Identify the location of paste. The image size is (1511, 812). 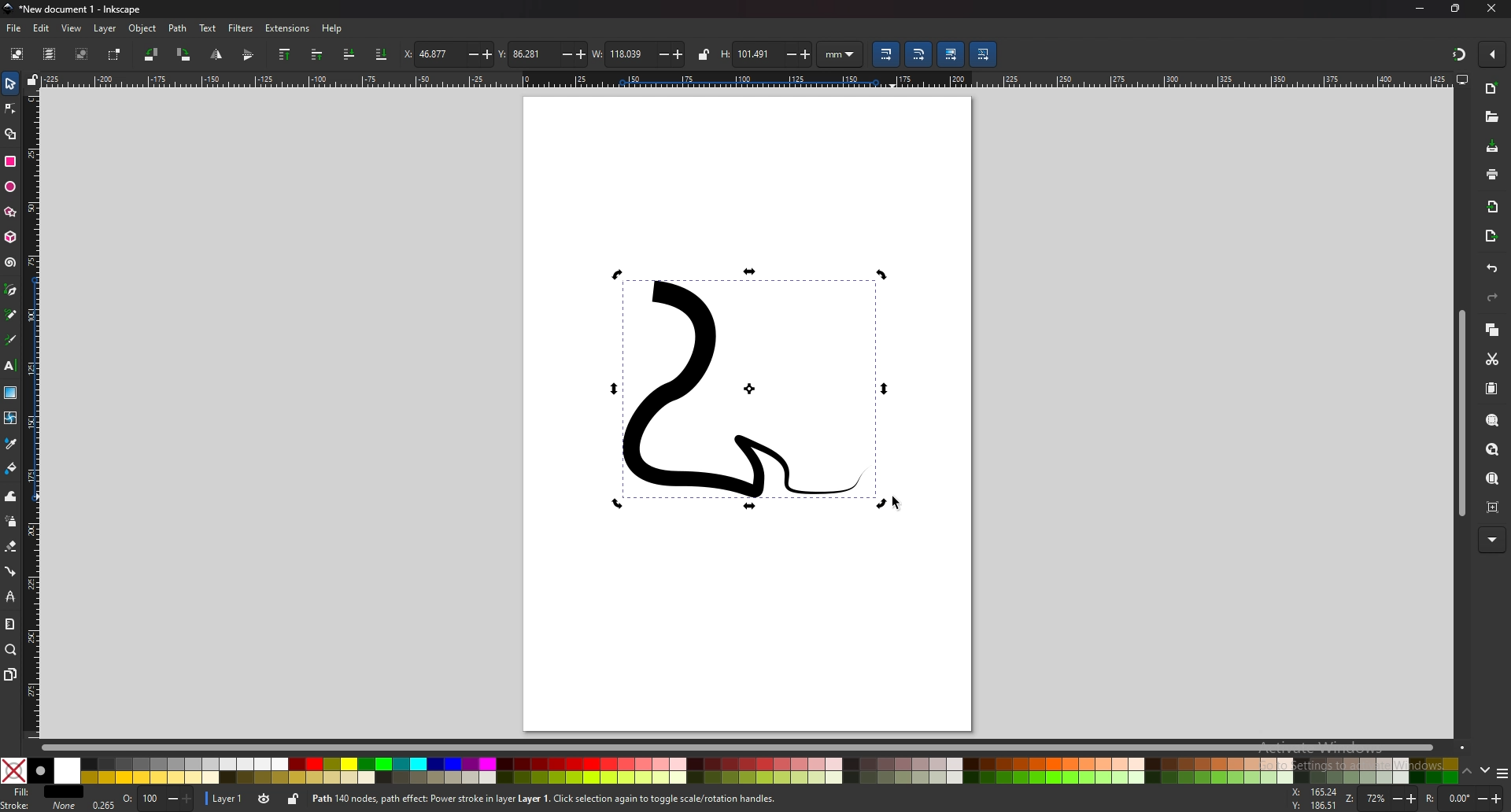
(1493, 389).